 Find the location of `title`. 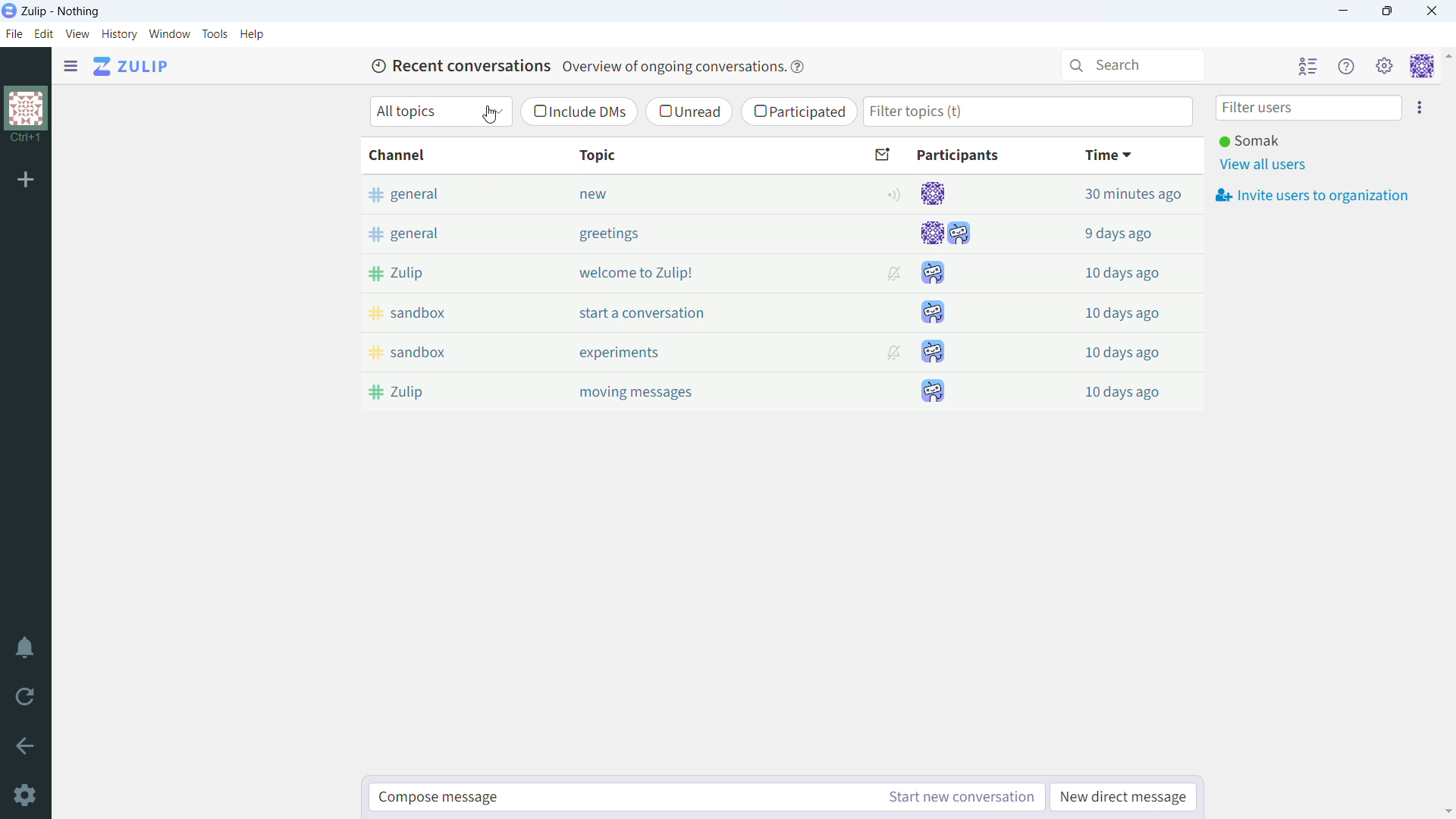

title is located at coordinates (61, 11).